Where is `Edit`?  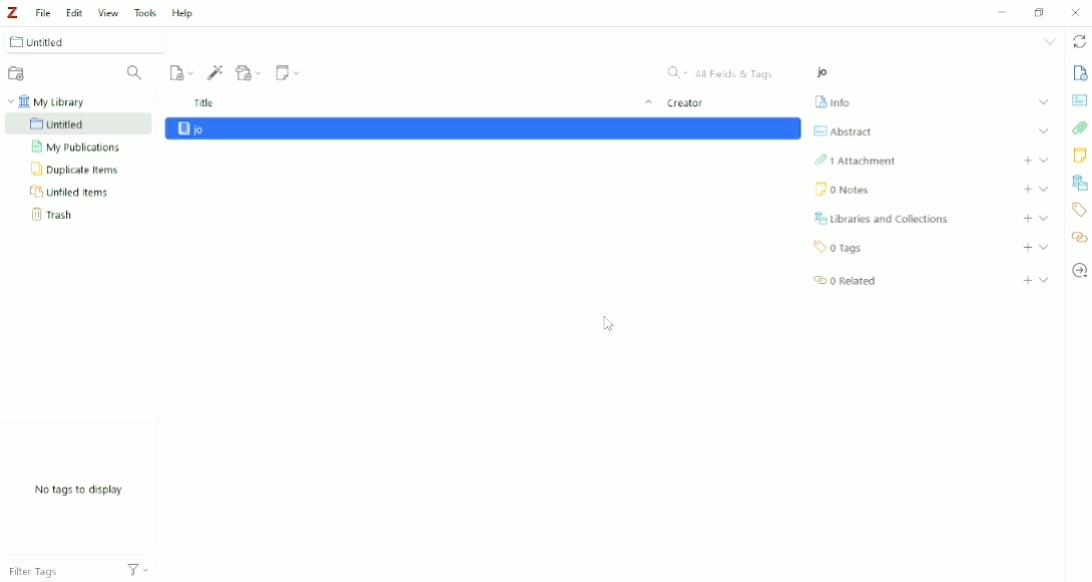 Edit is located at coordinates (74, 12).